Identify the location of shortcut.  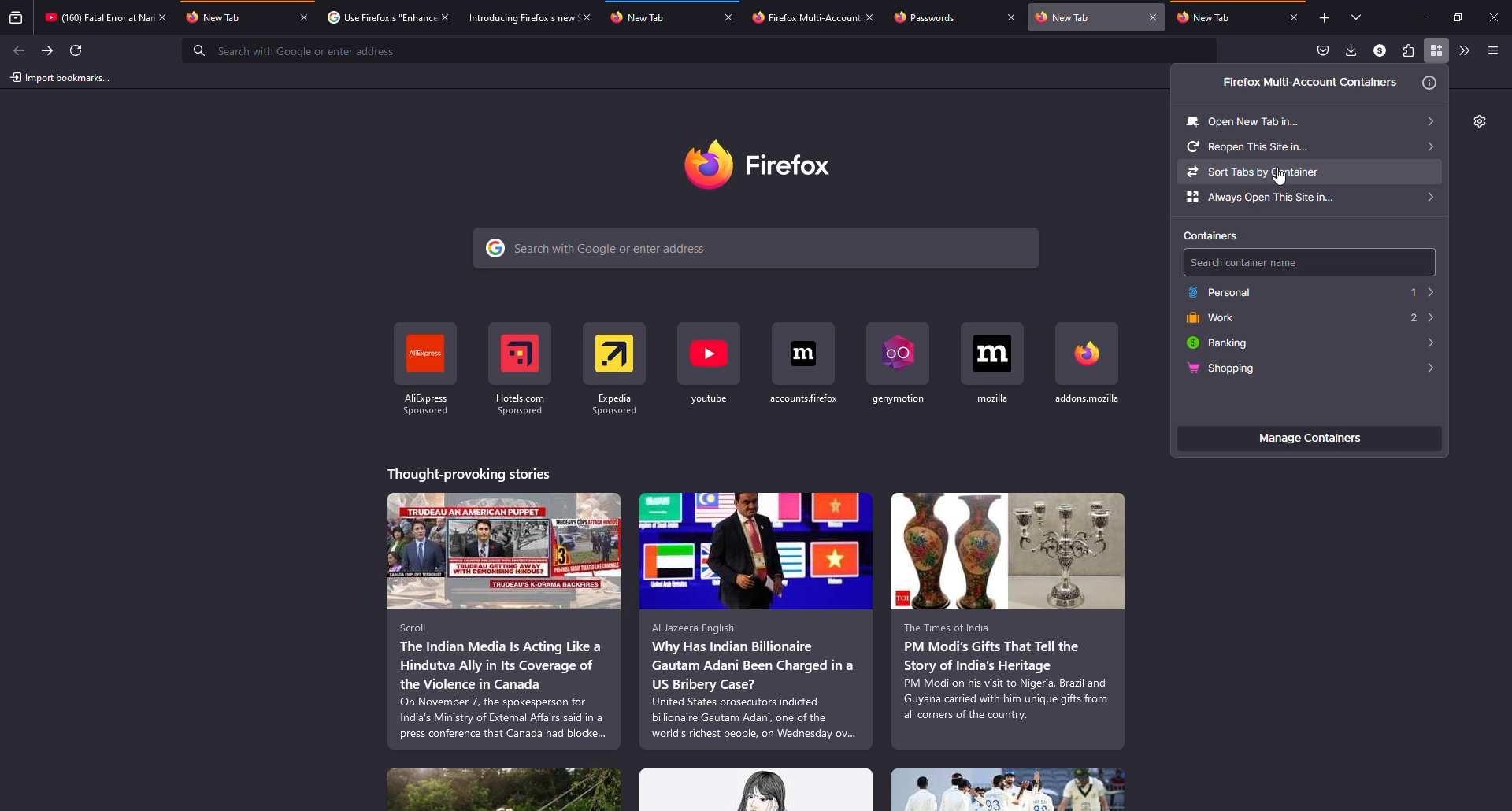
(995, 364).